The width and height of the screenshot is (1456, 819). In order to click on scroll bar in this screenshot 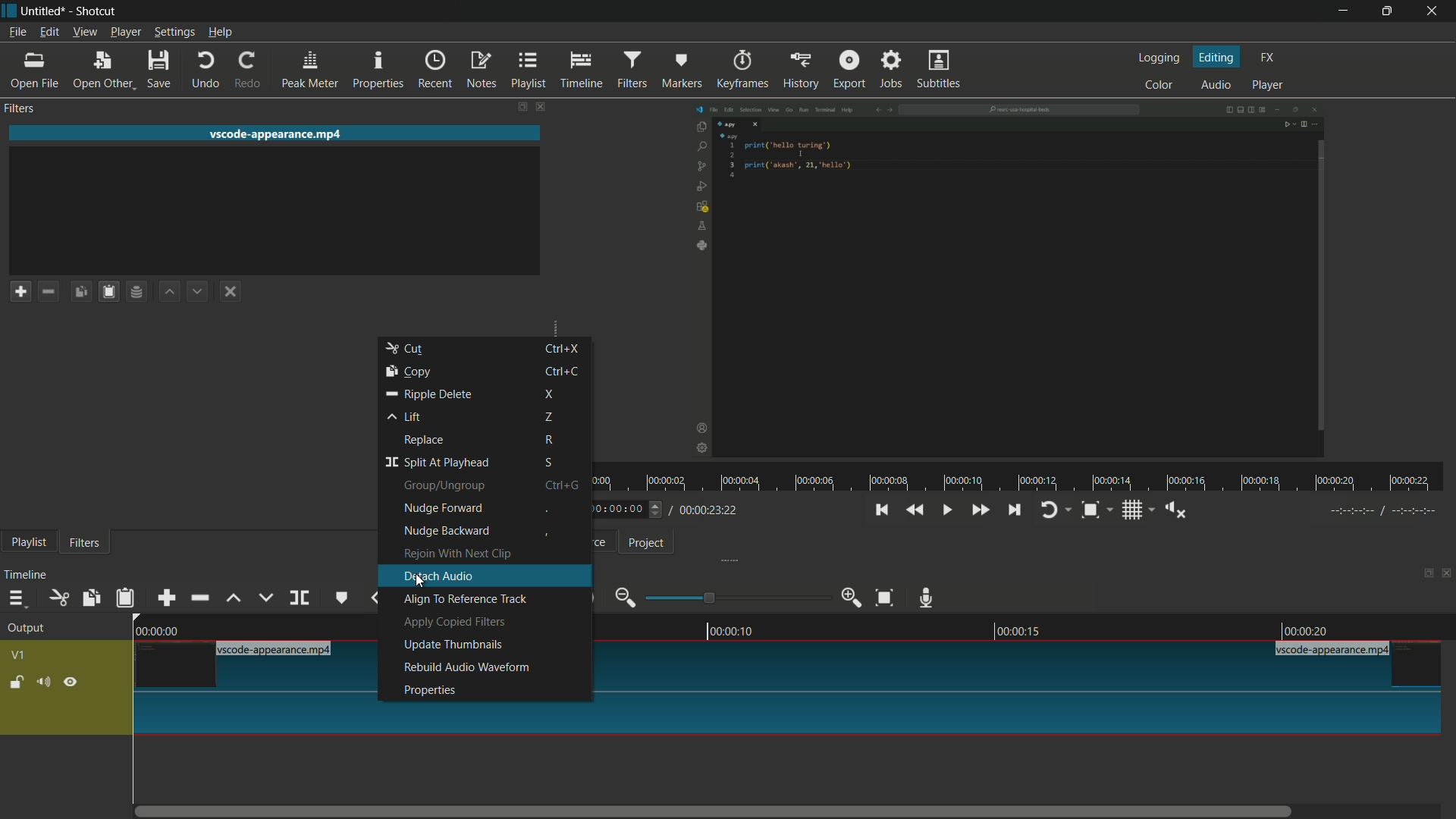, I will do `click(726, 811)`.